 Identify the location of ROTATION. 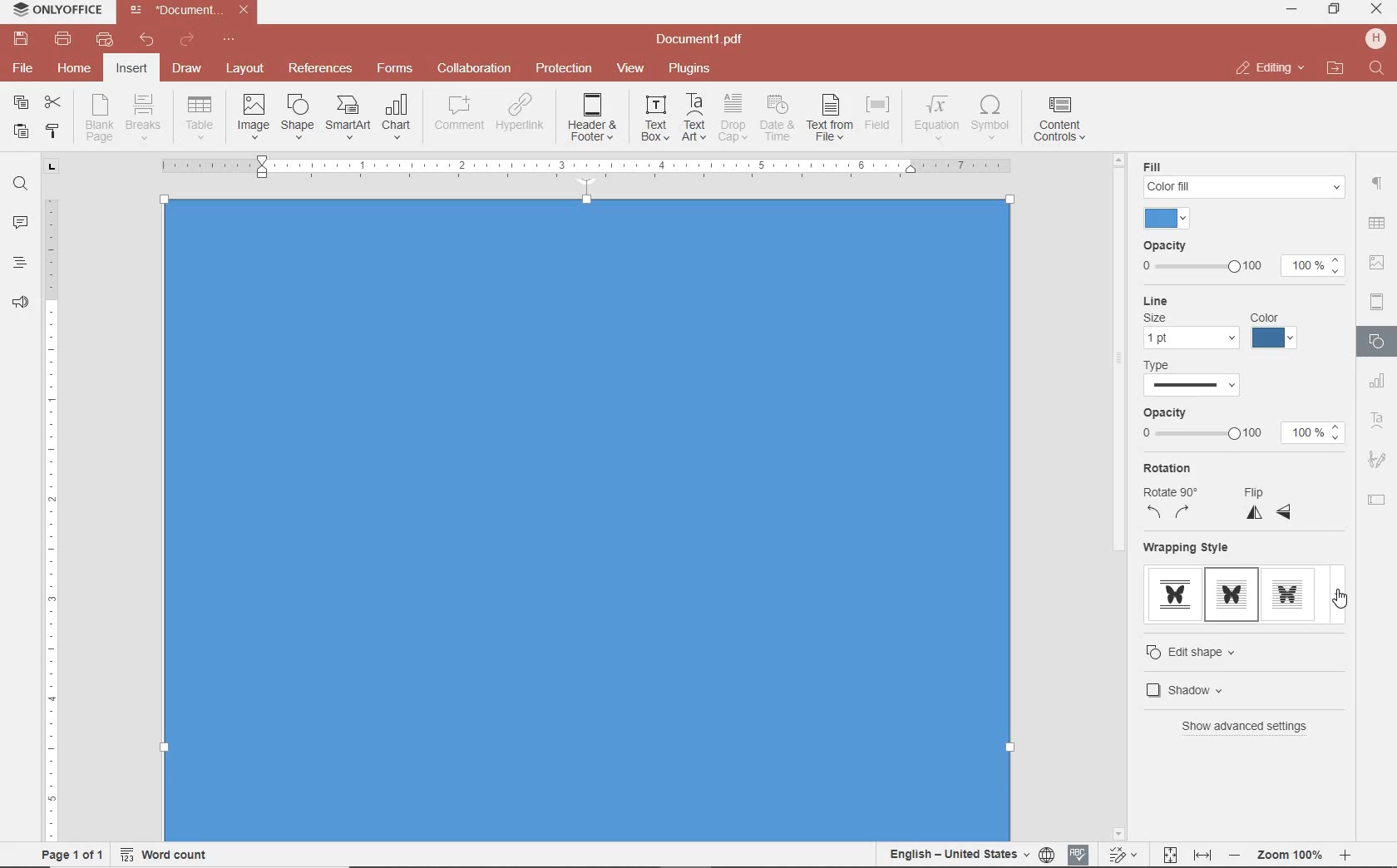
(1171, 494).